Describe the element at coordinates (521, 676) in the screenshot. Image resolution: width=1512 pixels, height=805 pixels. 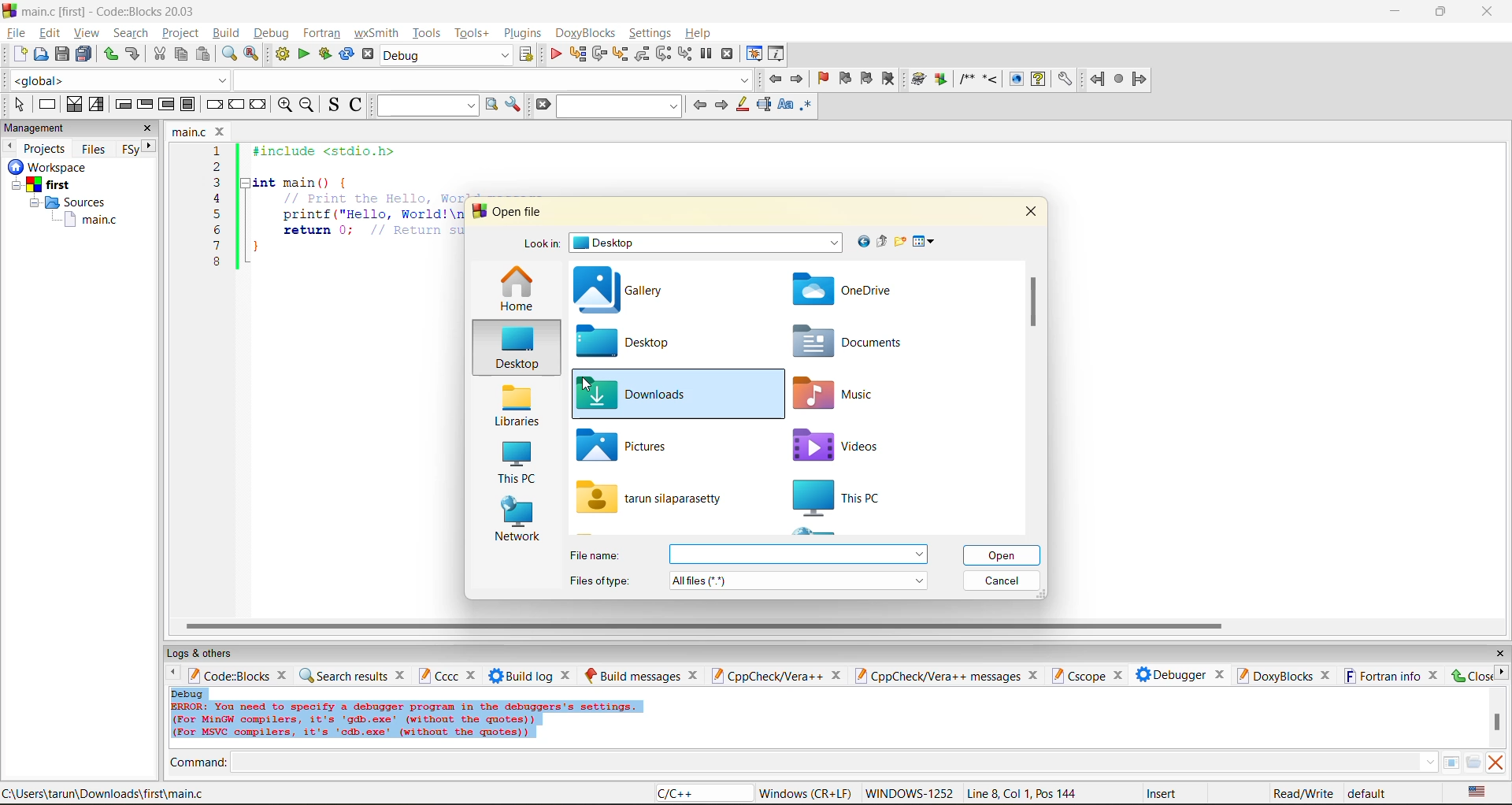
I see `build log` at that location.